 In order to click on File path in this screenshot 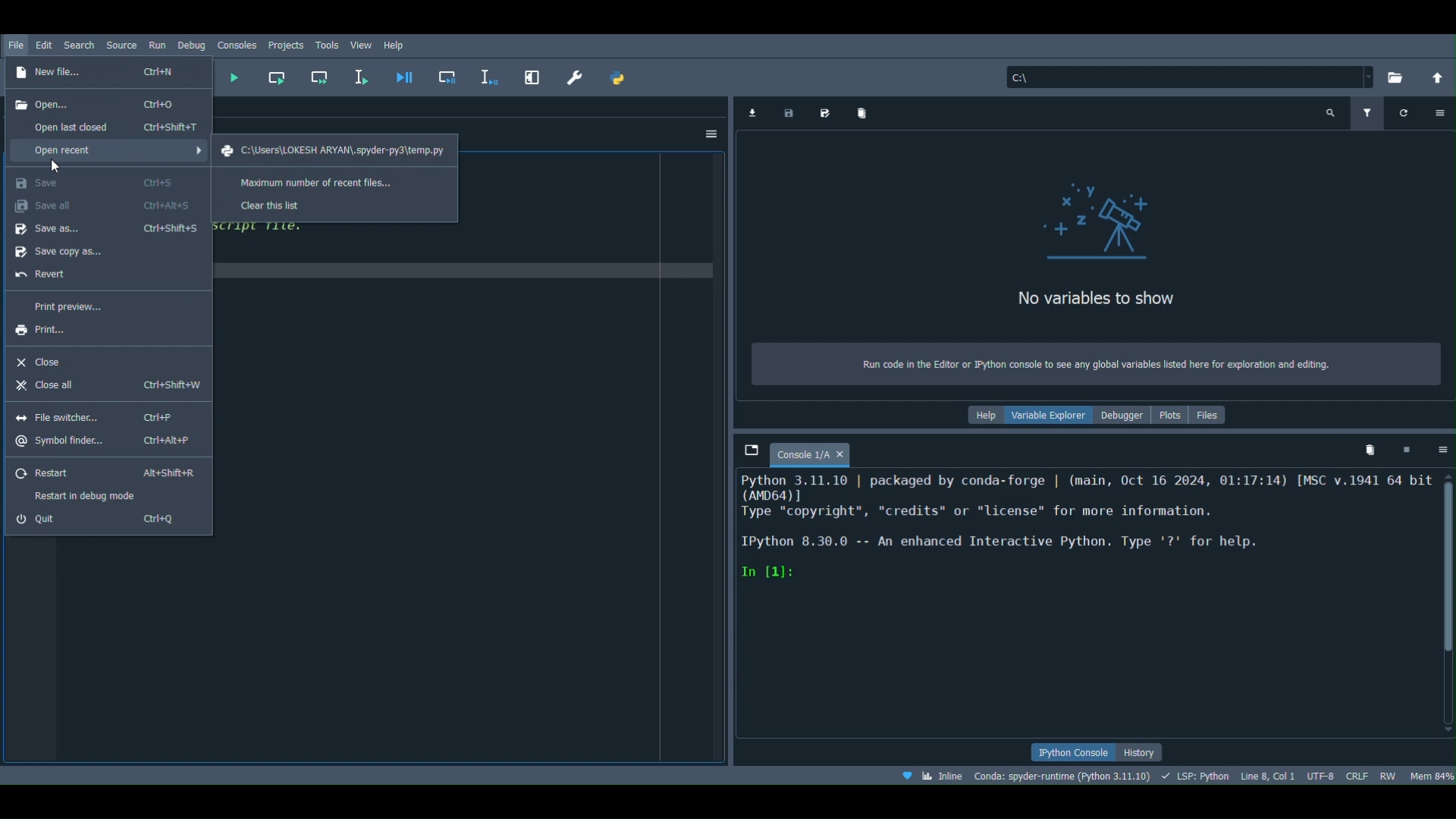, I will do `click(1191, 73)`.